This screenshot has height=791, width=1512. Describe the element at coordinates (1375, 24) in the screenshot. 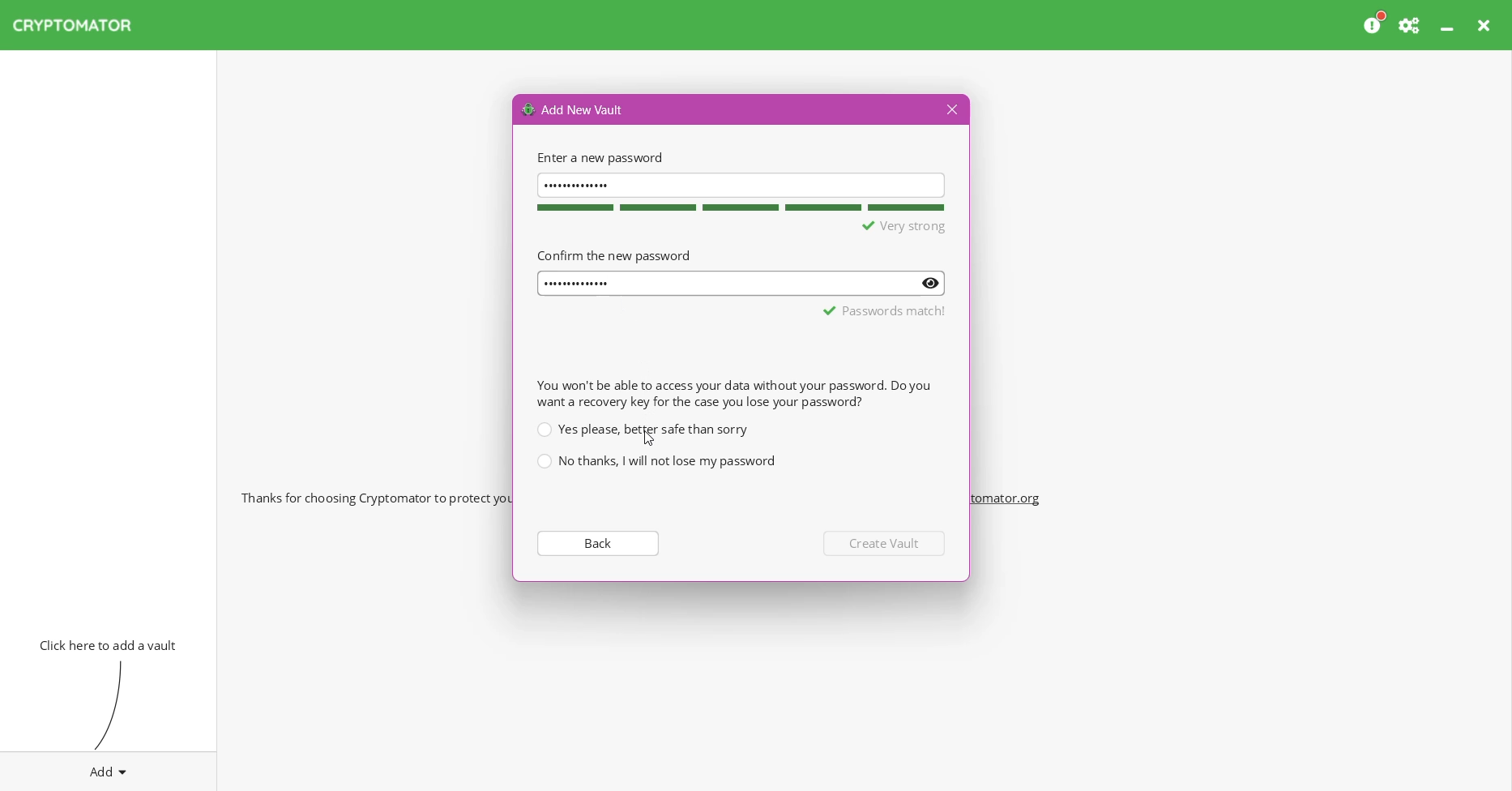

I see `Please consider donating` at that location.